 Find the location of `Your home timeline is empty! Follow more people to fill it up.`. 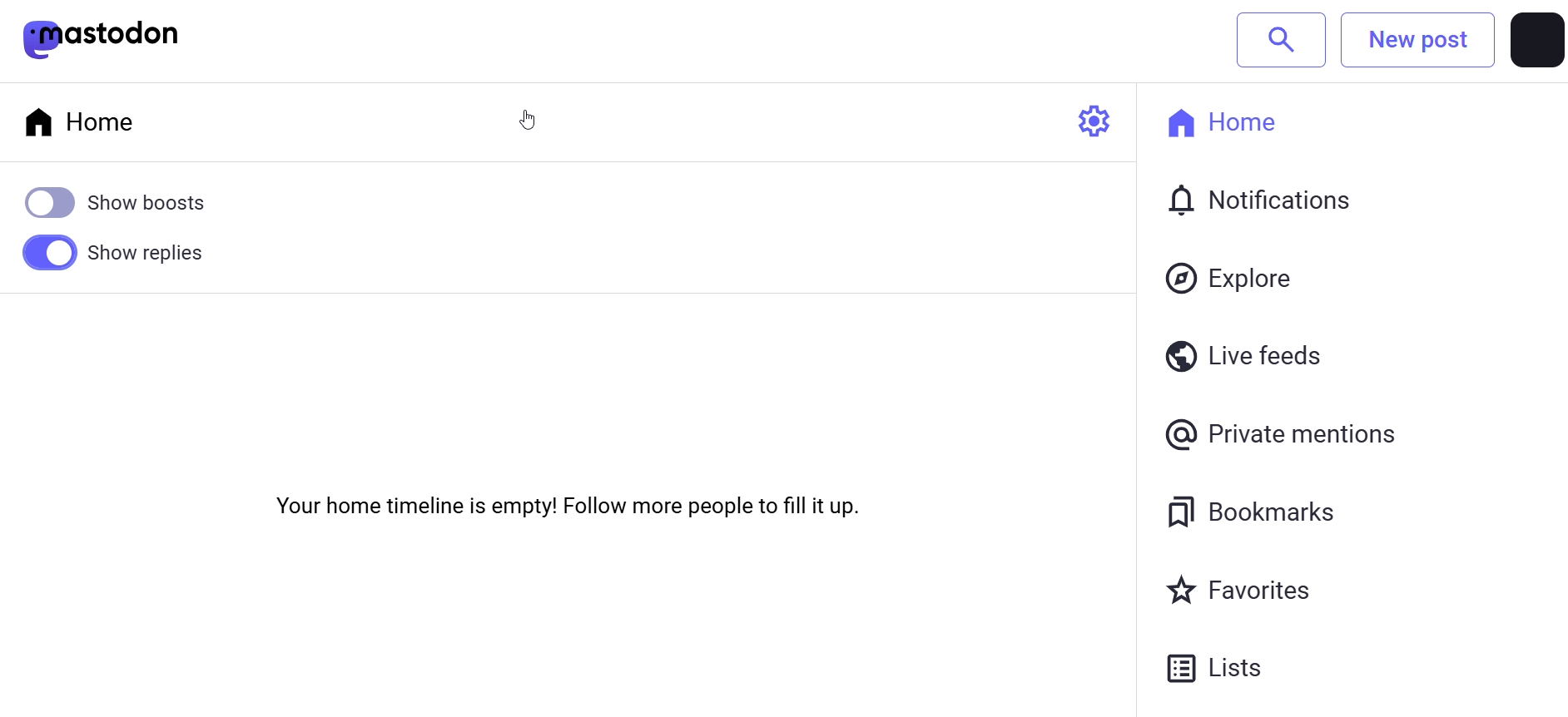

Your home timeline is empty! Follow more people to fill it up. is located at coordinates (563, 501).